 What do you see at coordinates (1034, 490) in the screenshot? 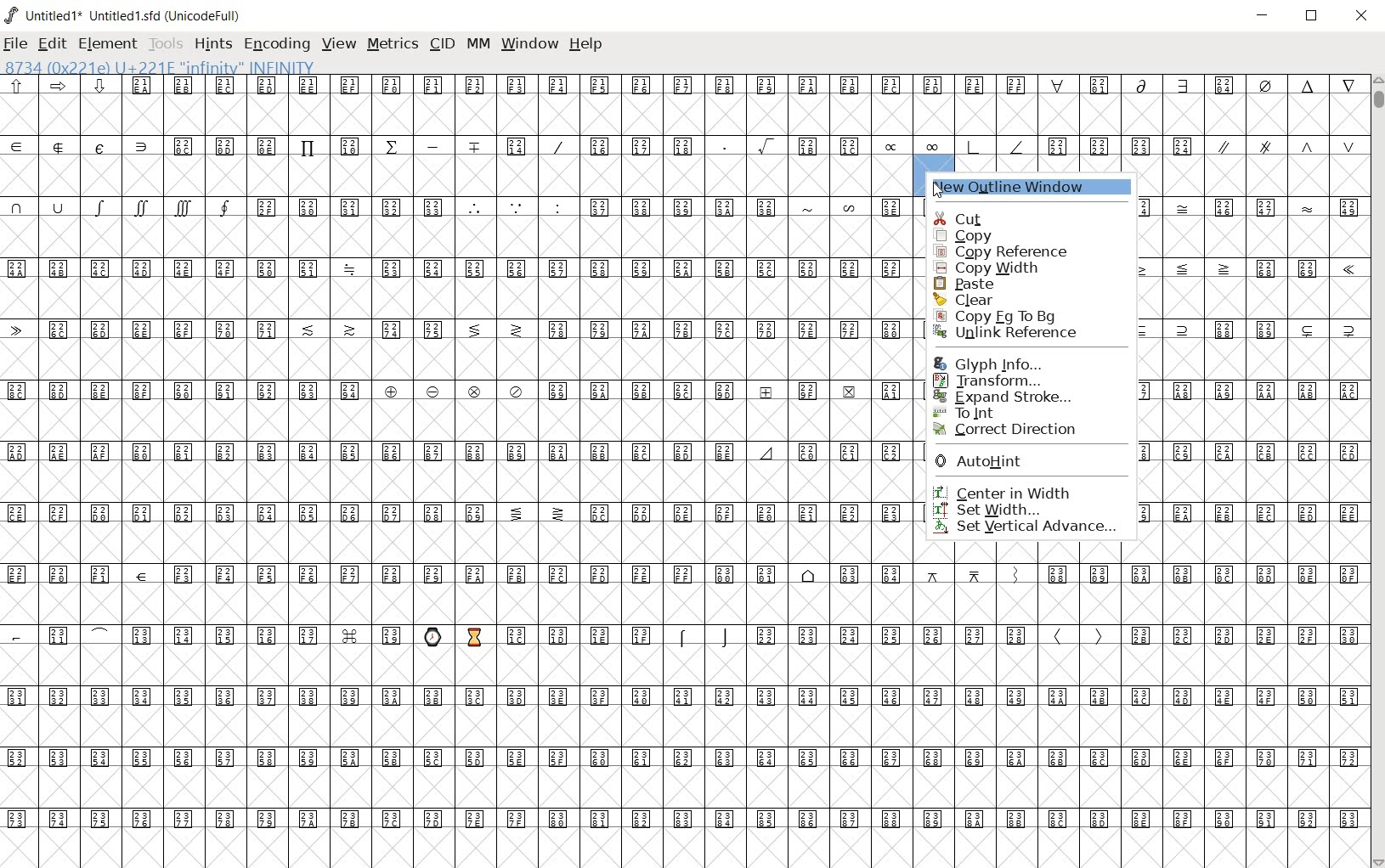
I see `center in width` at bounding box center [1034, 490].